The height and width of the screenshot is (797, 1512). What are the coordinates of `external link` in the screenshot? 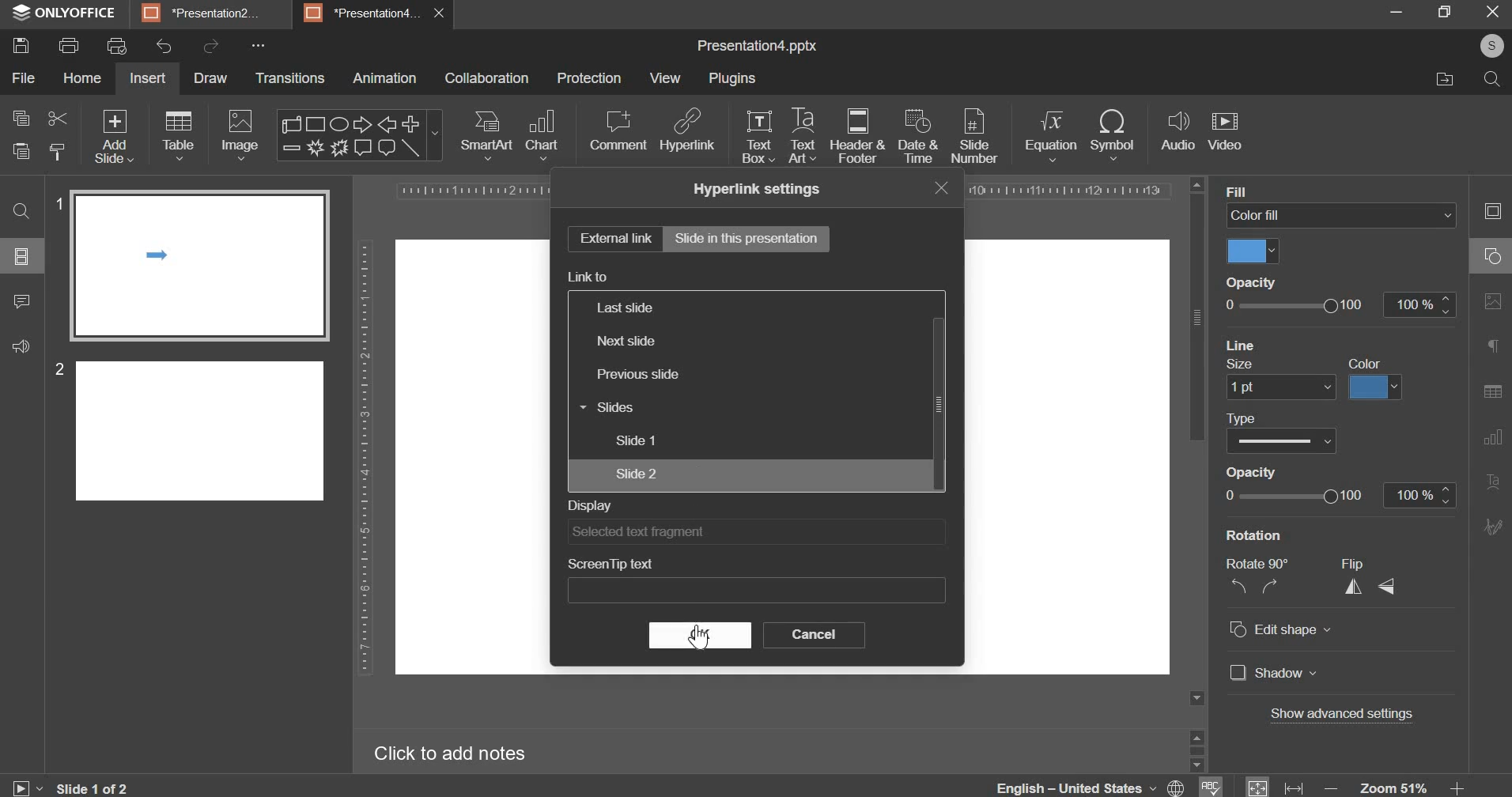 It's located at (613, 238).